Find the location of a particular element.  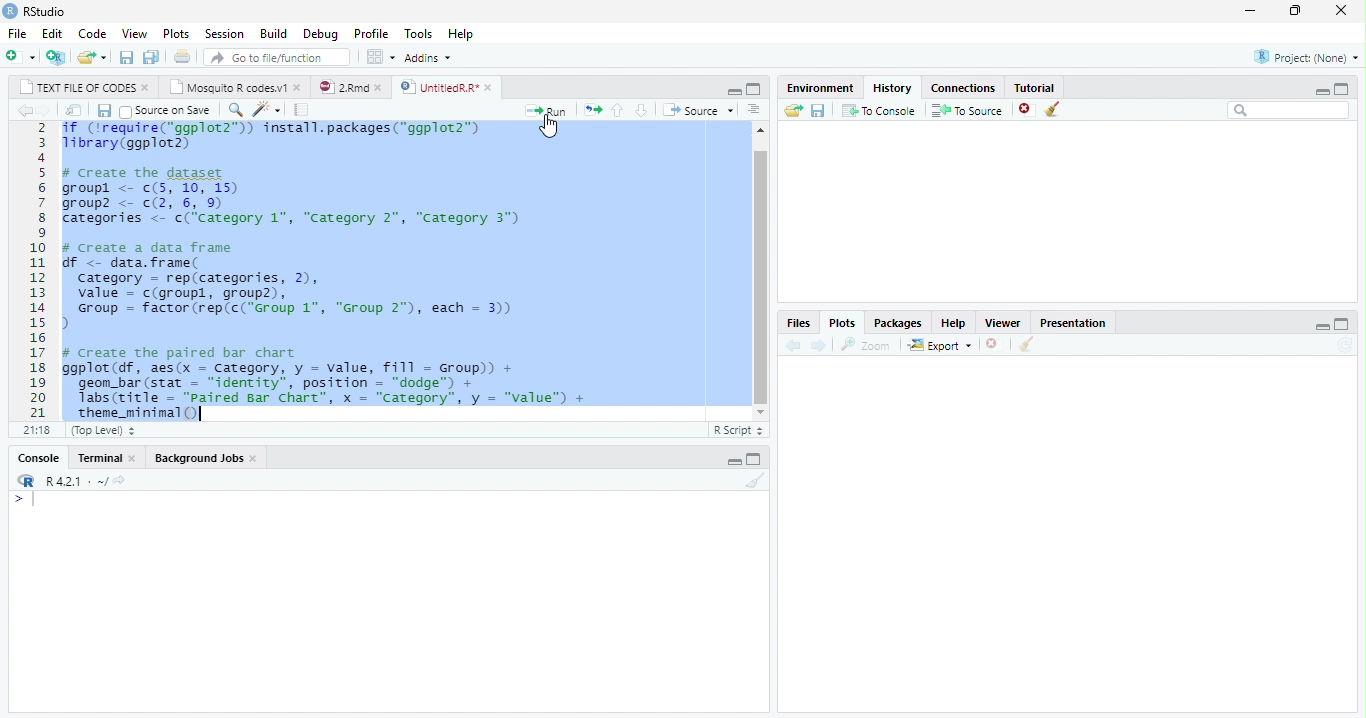

addins is located at coordinates (431, 57).